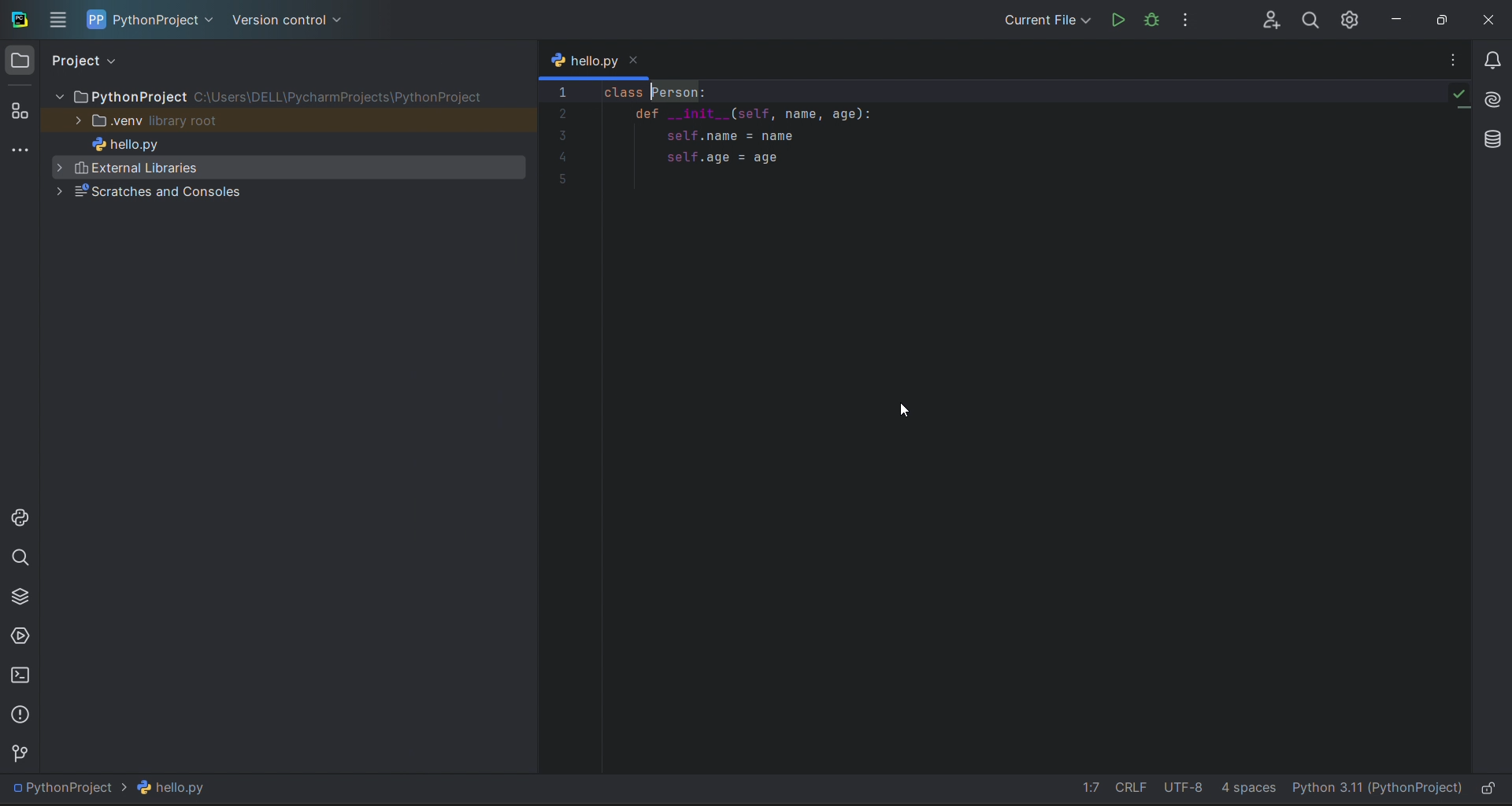 The height and width of the screenshot is (806, 1512). I want to click on more tools window, so click(19, 151).